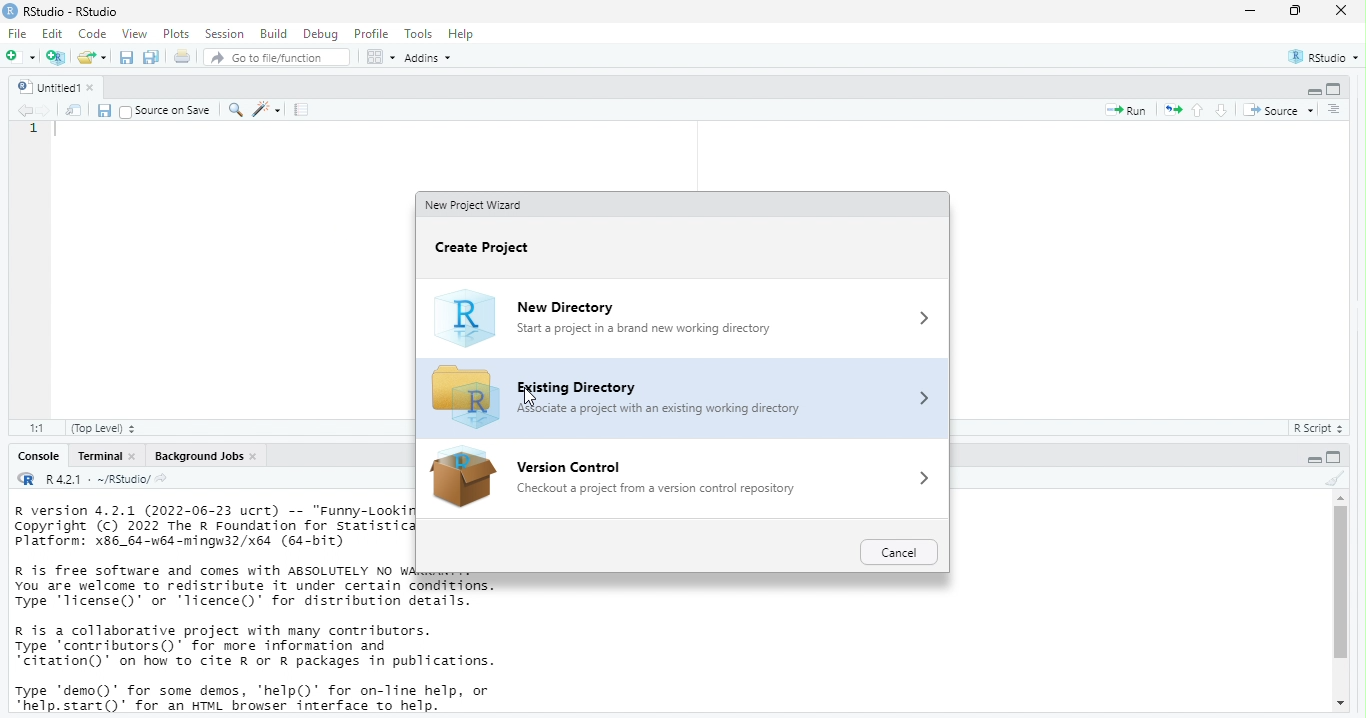 This screenshot has width=1366, height=718. What do you see at coordinates (46, 109) in the screenshot?
I see `go forward to next source location` at bounding box center [46, 109].